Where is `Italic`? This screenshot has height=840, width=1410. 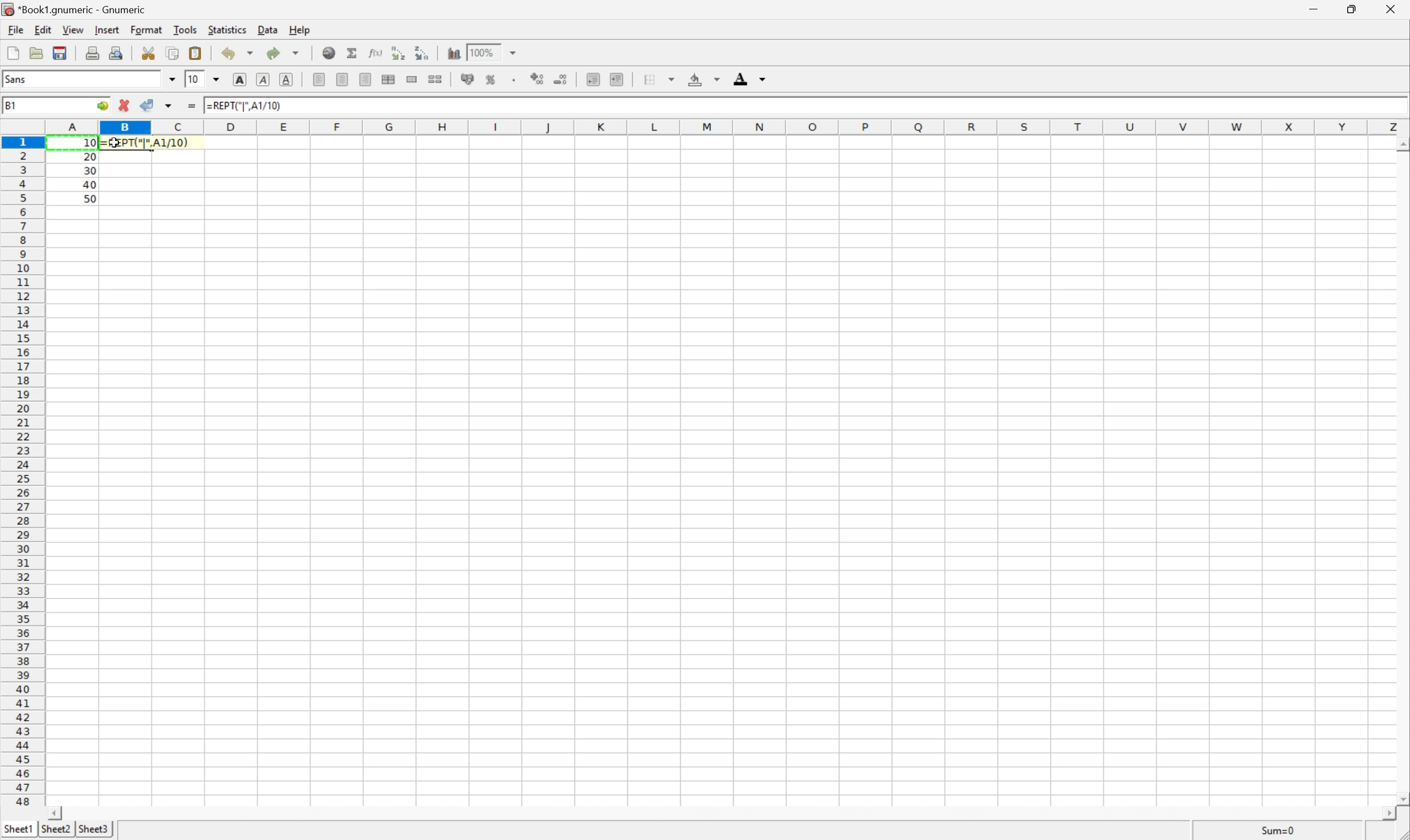 Italic is located at coordinates (264, 78).